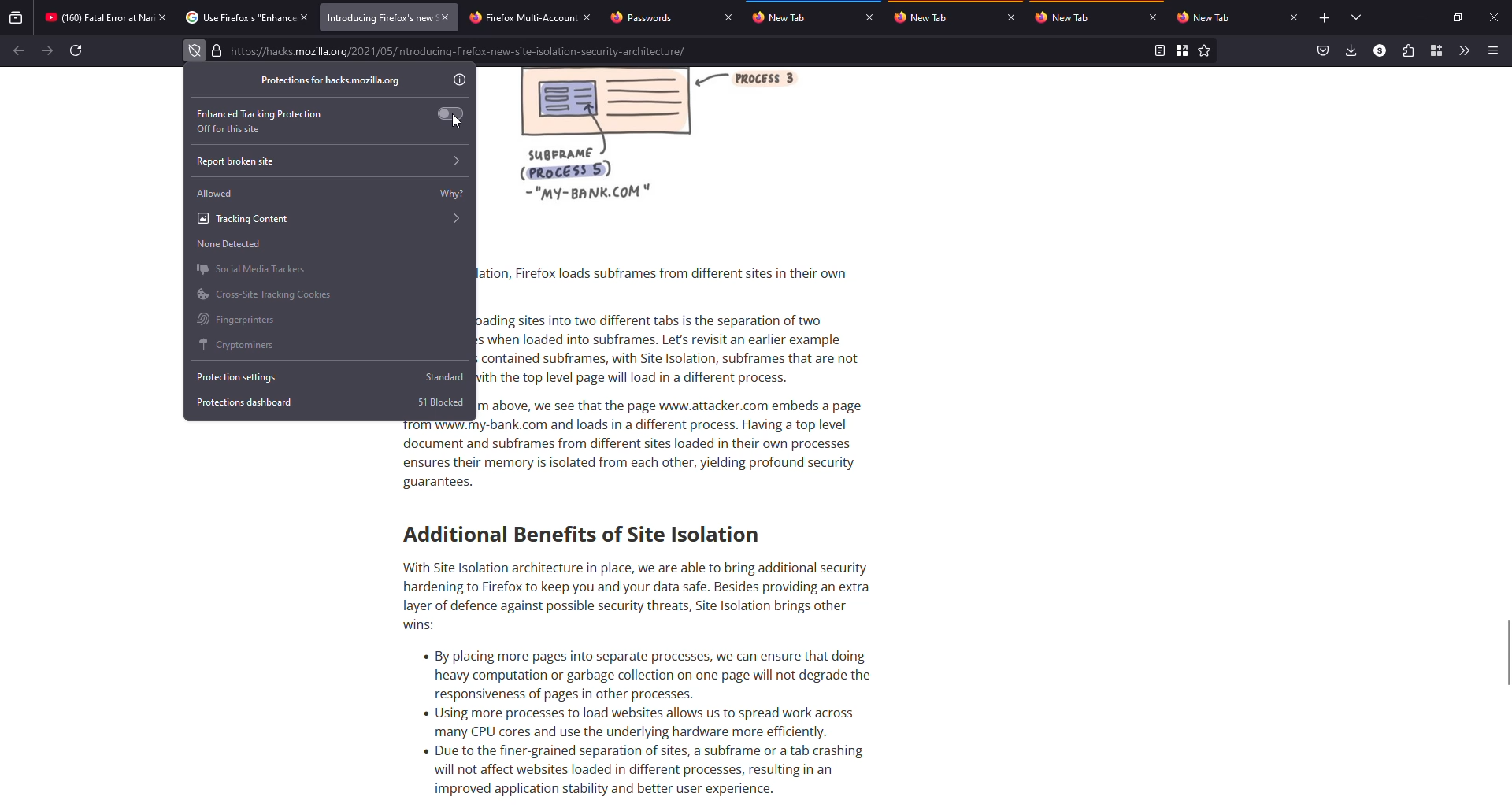 Image resolution: width=1512 pixels, height=811 pixels. Describe the element at coordinates (98, 17) in the screenshot. I see `tab` at that location.